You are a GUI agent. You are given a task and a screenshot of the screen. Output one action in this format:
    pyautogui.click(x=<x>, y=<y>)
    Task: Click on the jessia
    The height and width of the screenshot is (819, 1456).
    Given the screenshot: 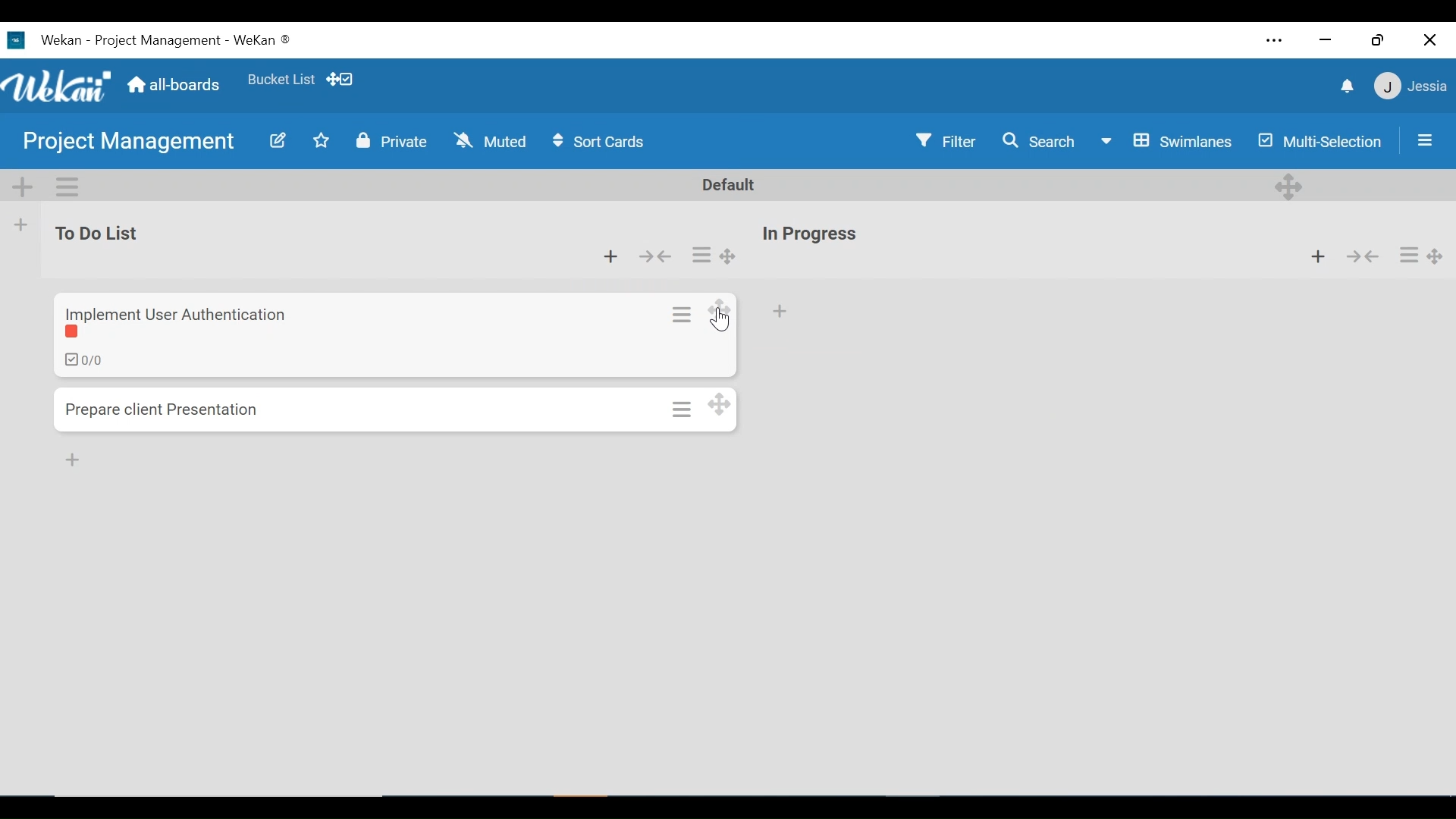 What is the action you would take?
    pyautogui.click(x=1409, y=86)
    